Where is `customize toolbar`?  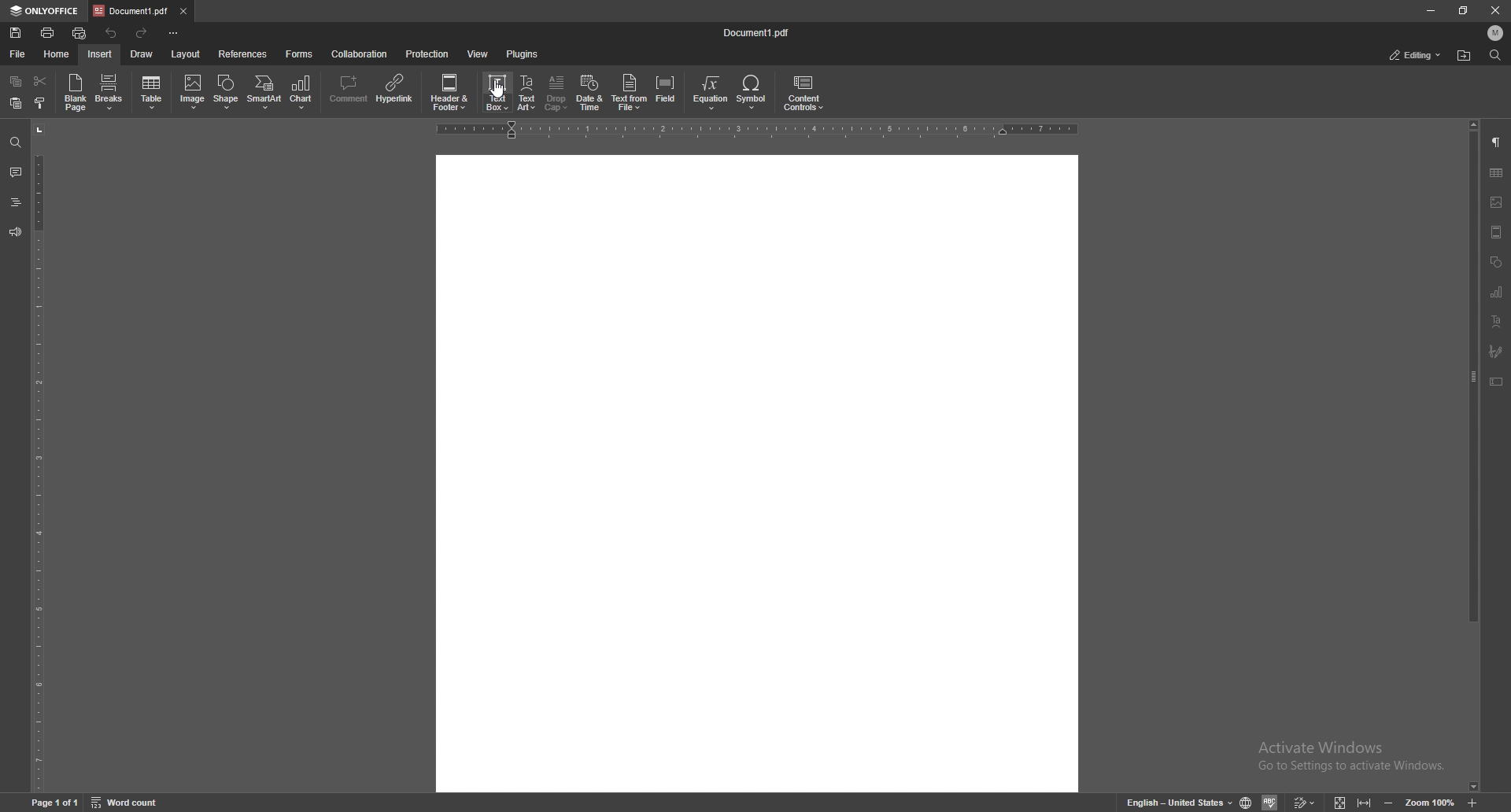 customize toolbar is located at coordinates (172, 31).